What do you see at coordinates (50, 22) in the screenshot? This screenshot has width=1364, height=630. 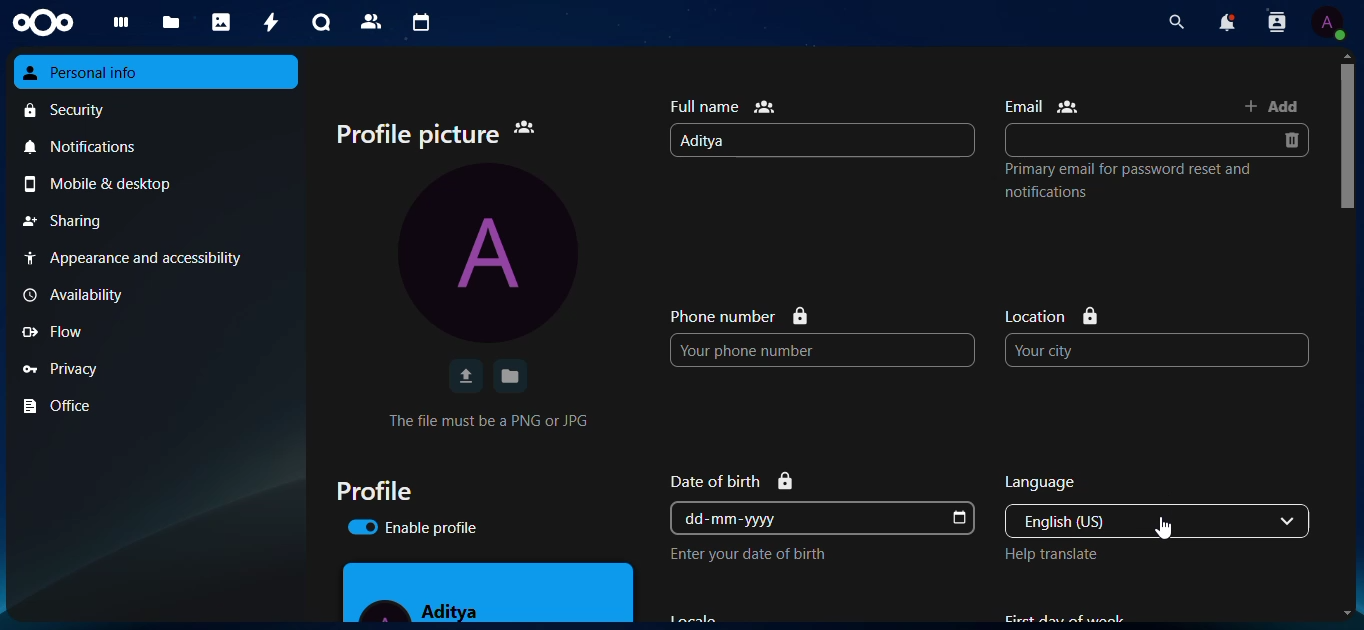 I see `next cloud` at bounding box center [50, 22].